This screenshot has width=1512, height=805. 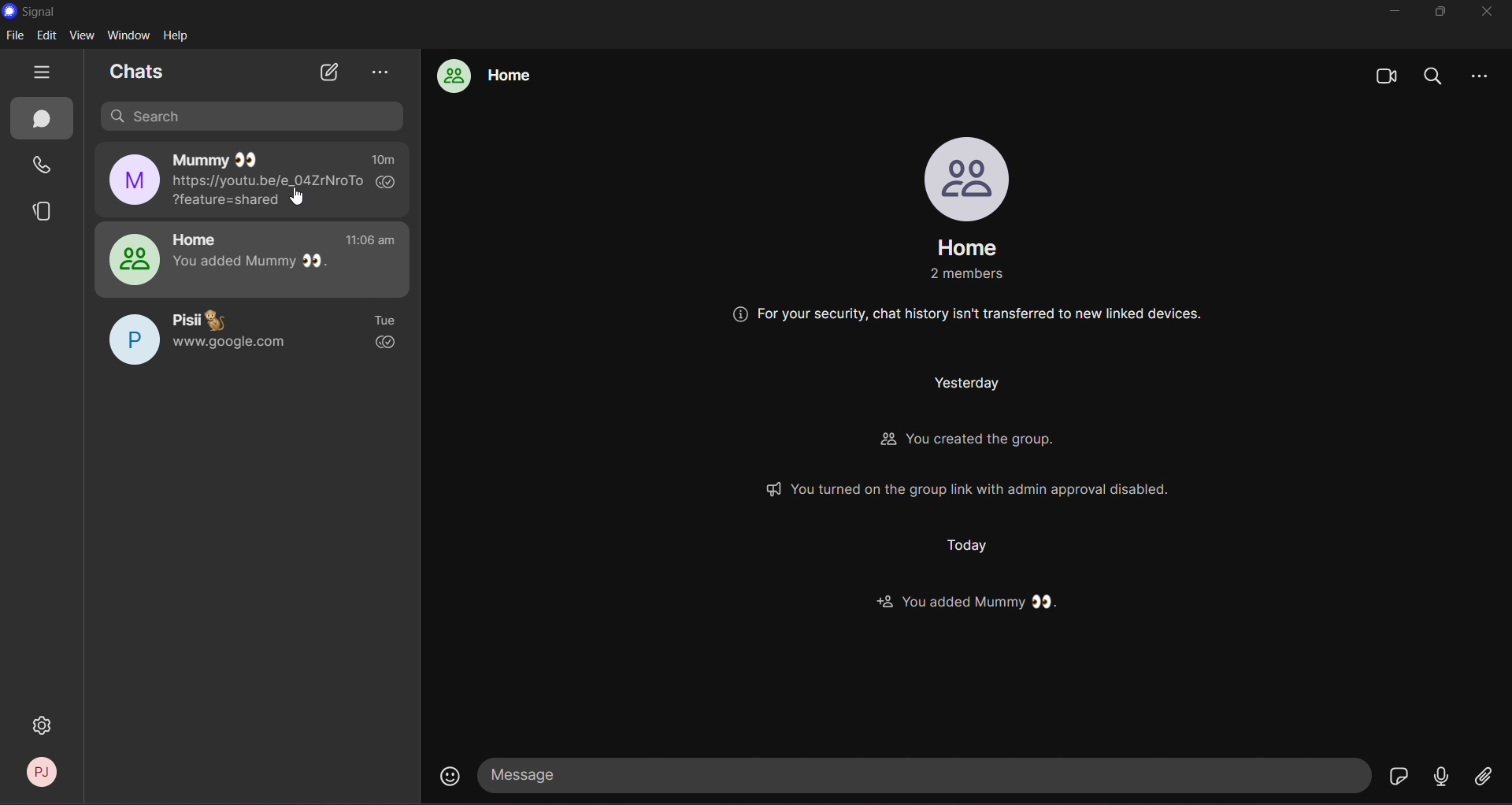 I want to click on home group chat, so click(x=252, y=258).